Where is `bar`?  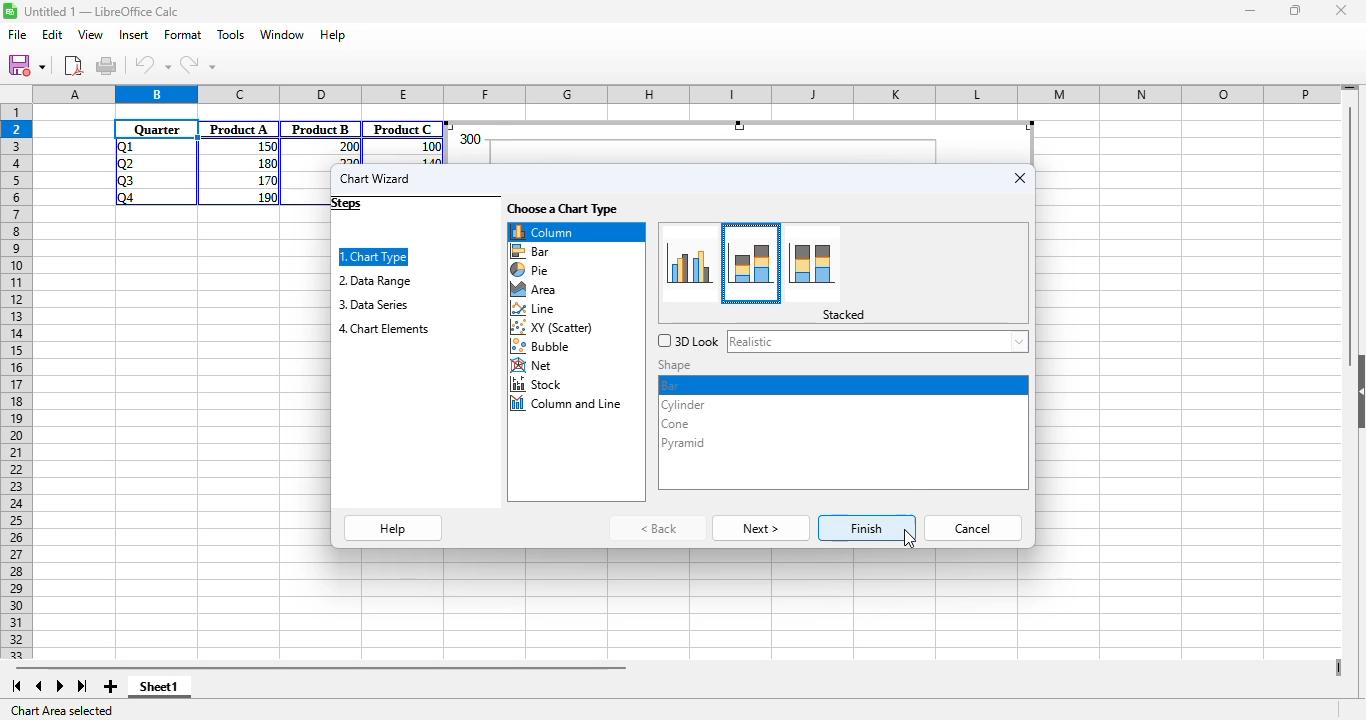 bar is located at coordinates (673, 384).